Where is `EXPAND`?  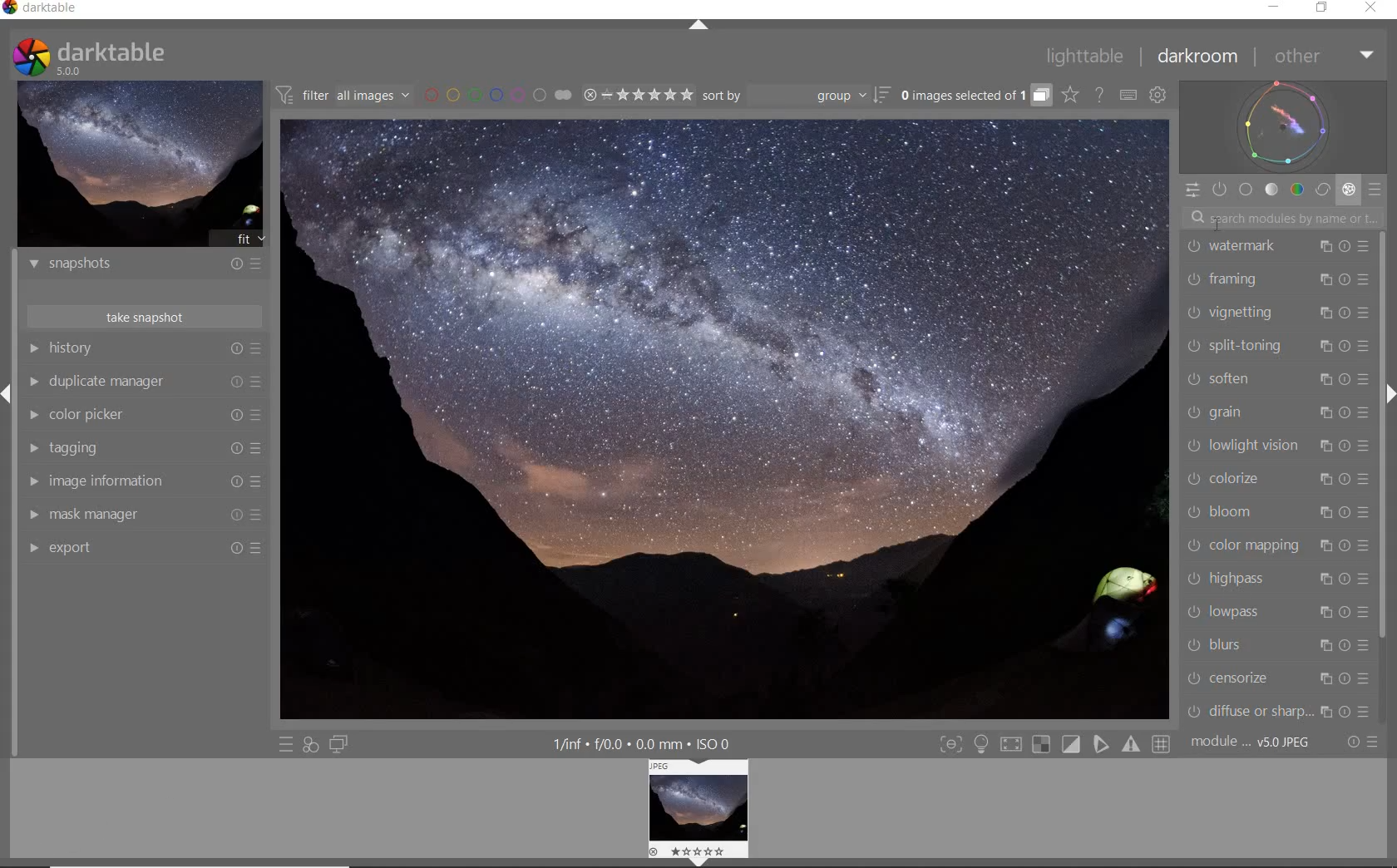
EXPAND is located at coordinates (8, 392).